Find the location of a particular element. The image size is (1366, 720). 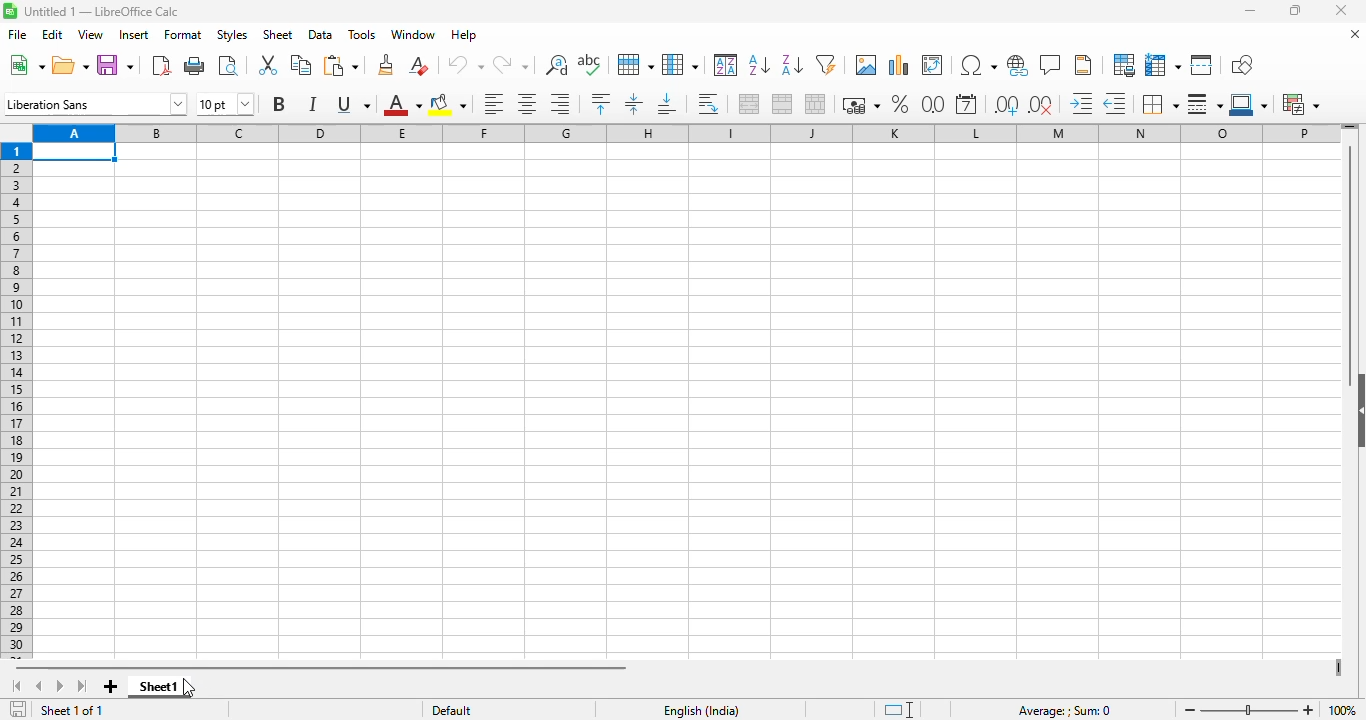

sort descending is located at coordinates (792, 66).